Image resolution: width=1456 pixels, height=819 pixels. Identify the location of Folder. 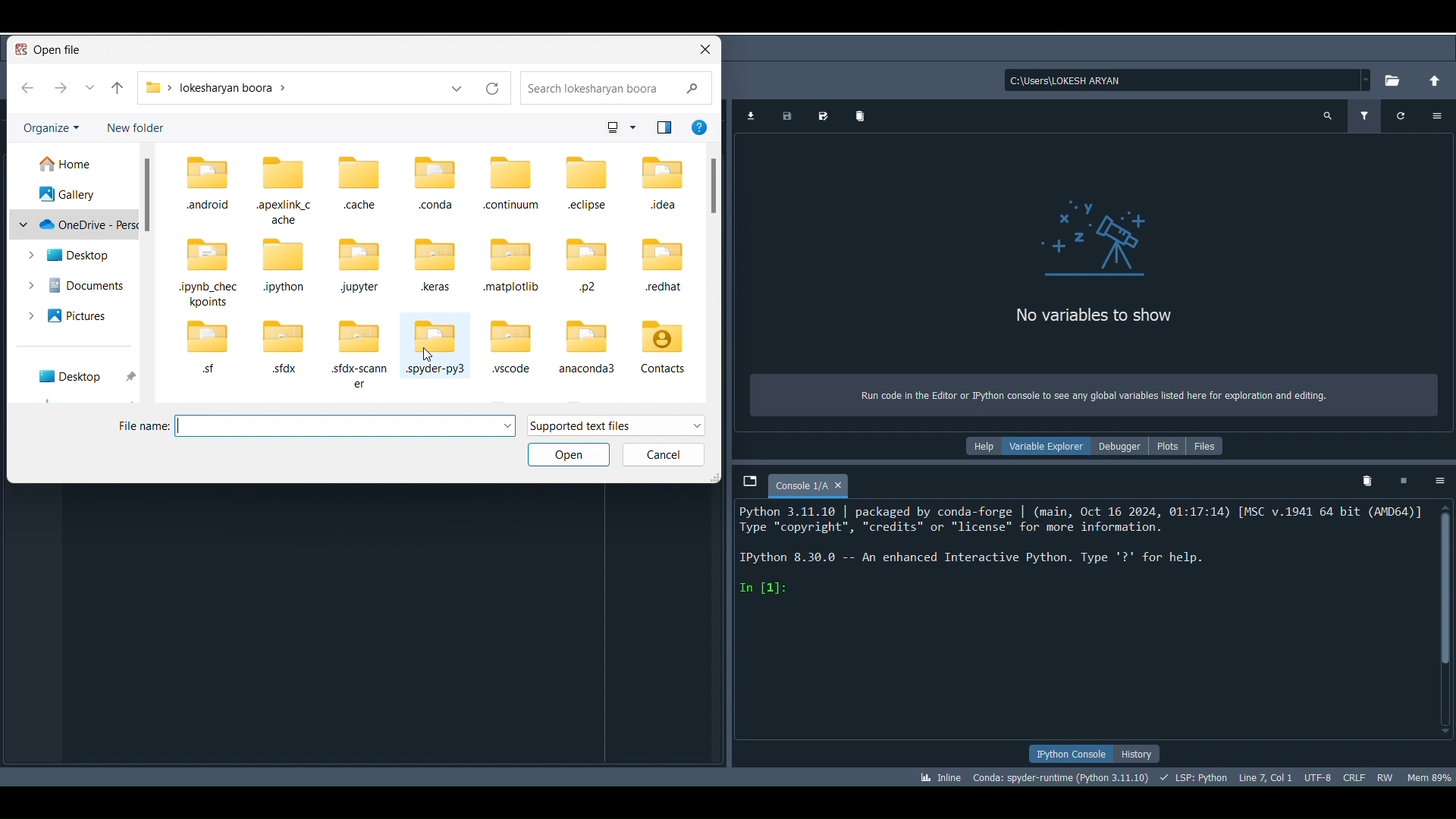
(436, 266).